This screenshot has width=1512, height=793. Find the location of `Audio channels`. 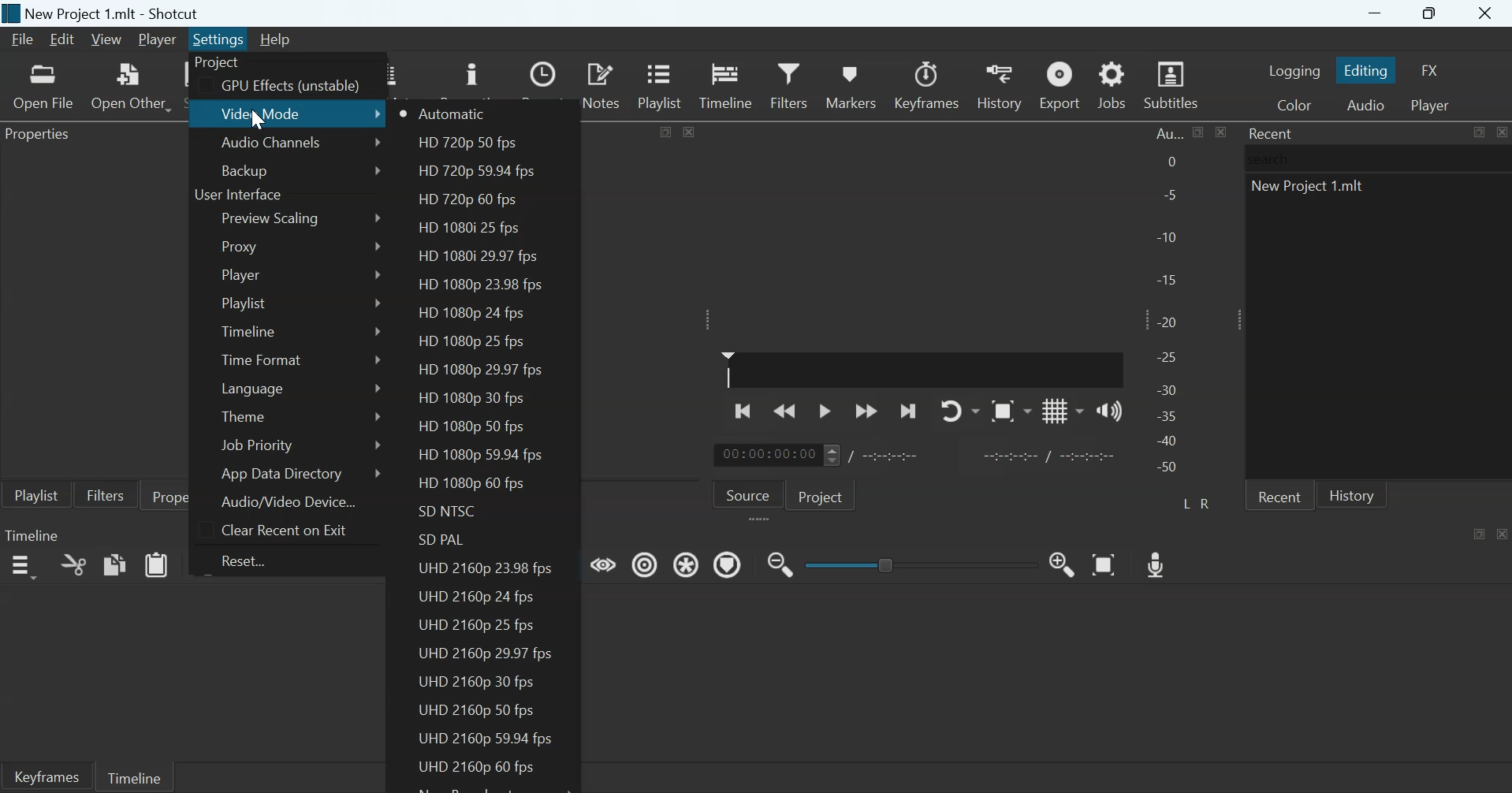

Audio channels is located at coordinates (271, 144).